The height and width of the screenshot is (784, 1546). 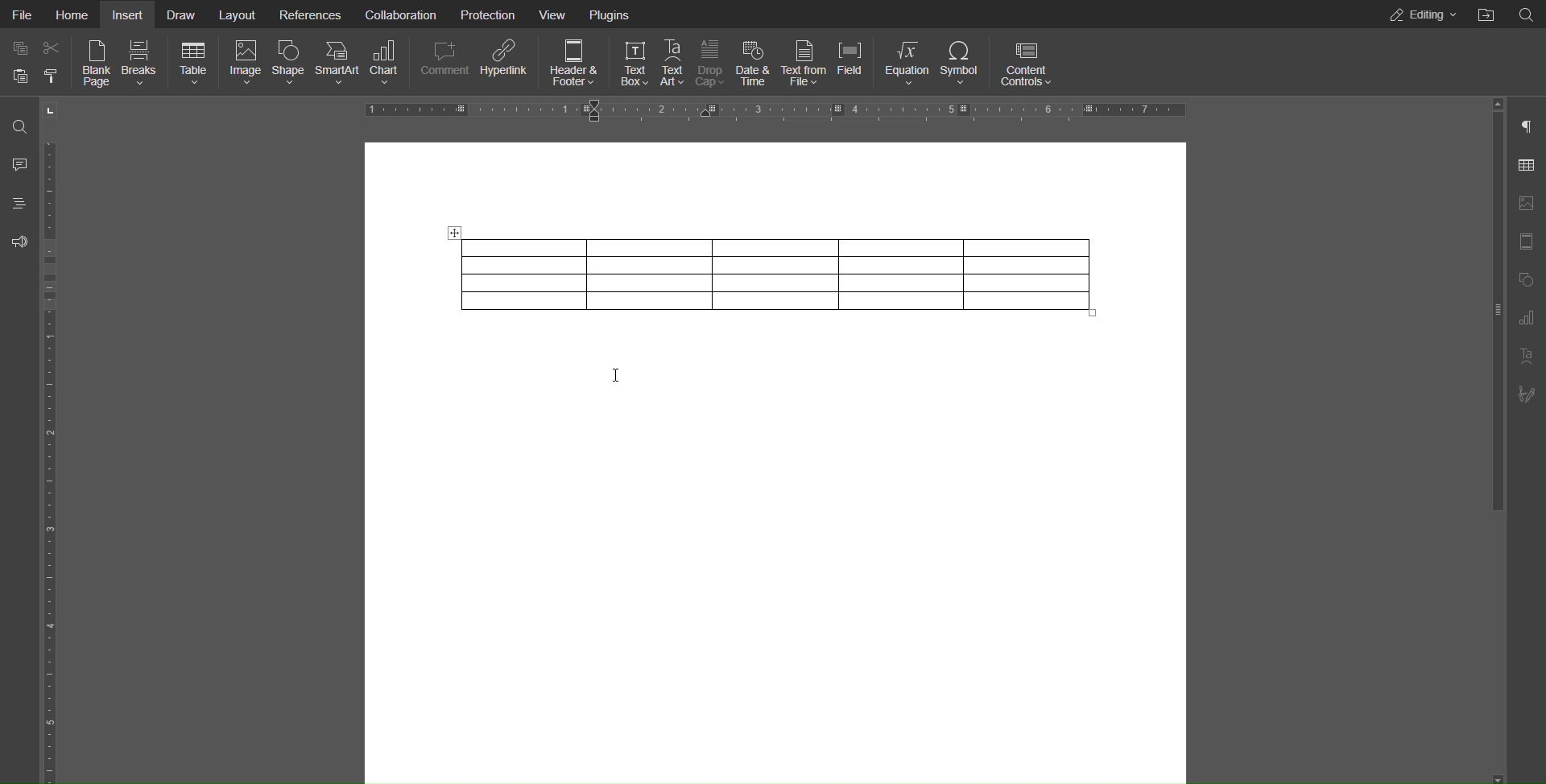 I want to click on Equation, so click(x=910, y=63).